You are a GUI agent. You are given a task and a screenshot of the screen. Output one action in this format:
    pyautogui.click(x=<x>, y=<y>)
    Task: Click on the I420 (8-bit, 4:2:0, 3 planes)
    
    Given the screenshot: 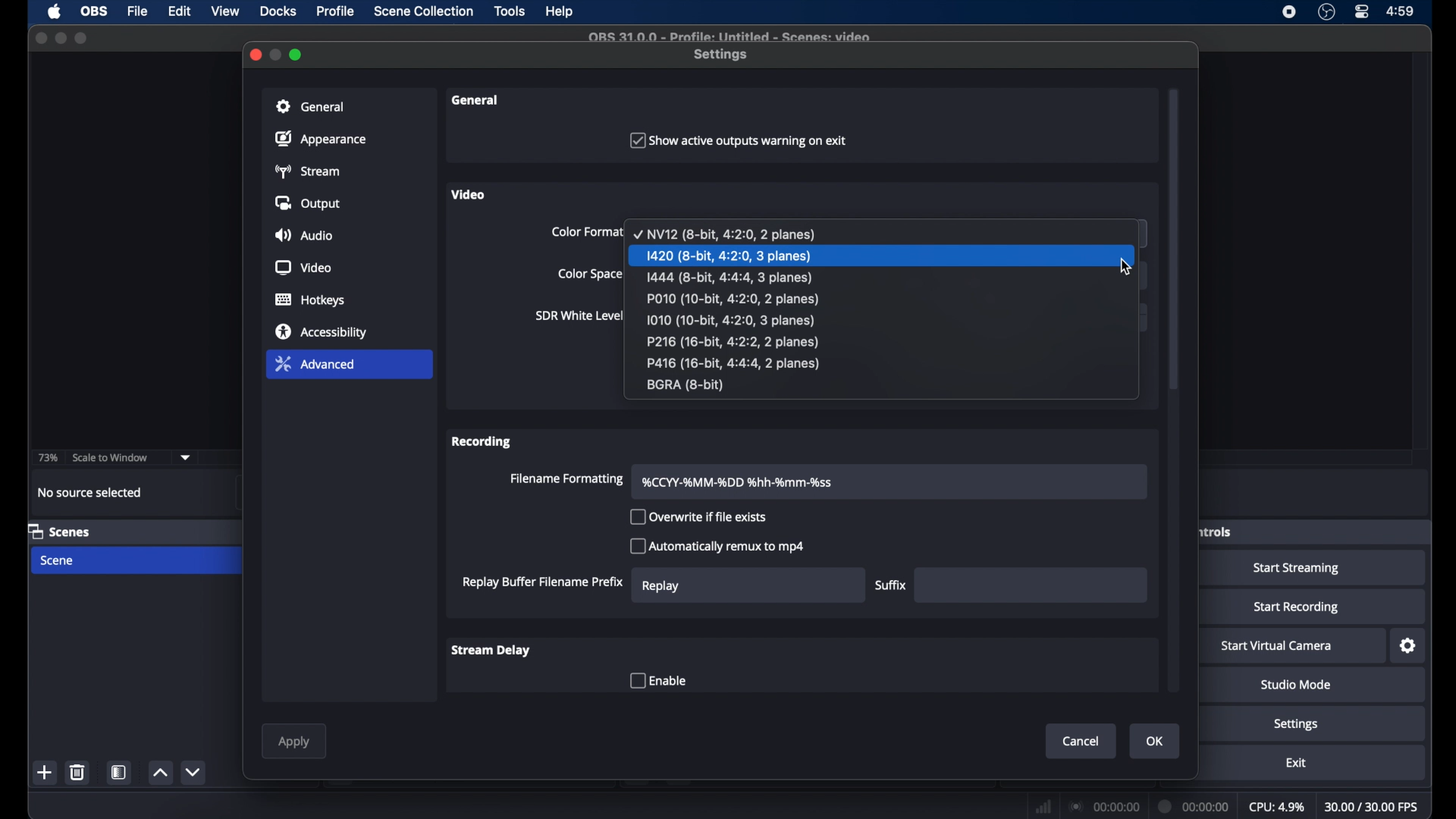 What is the action you would take?
    pyautogui.click(x=731, y=256)
    